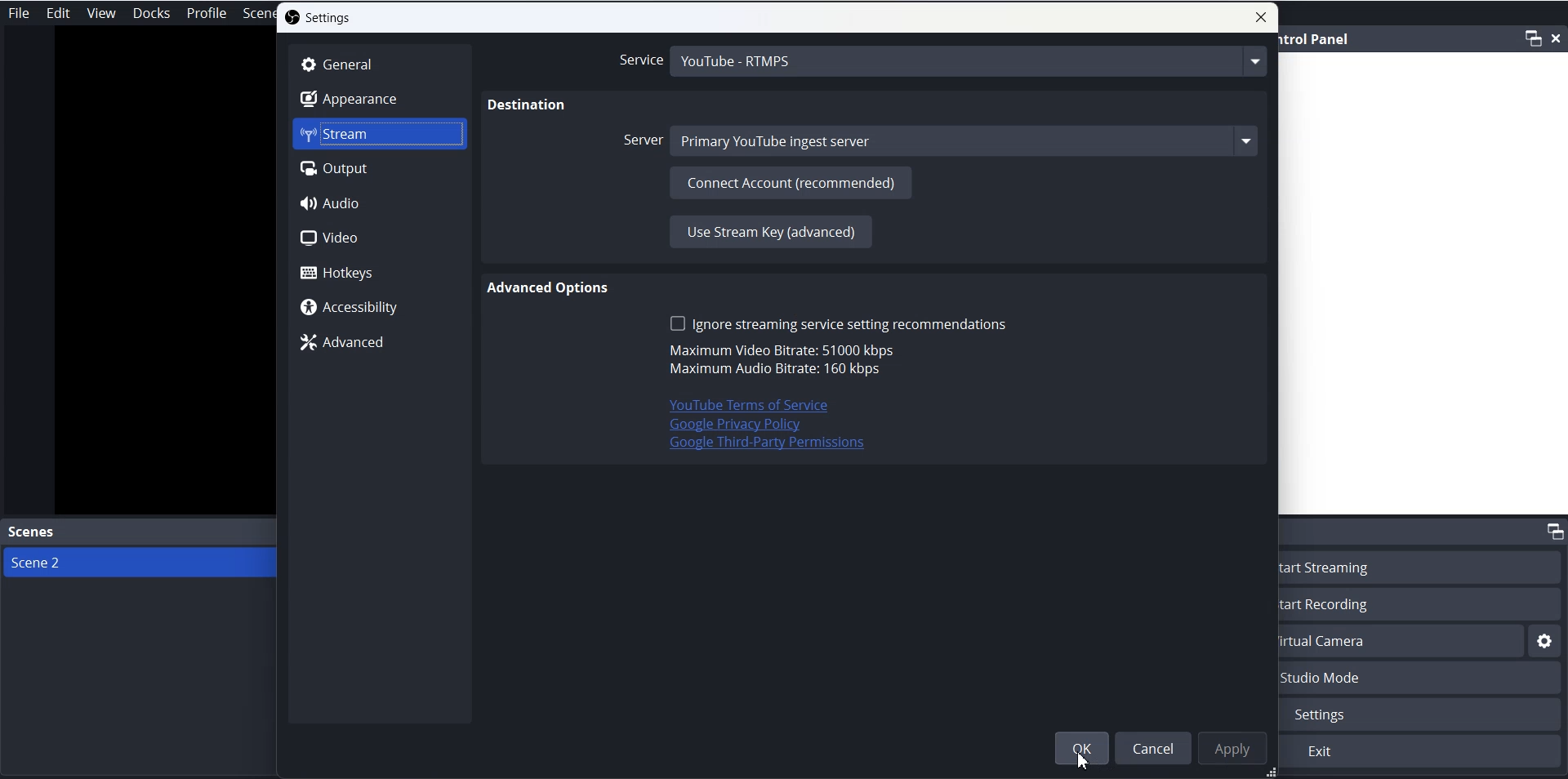 Image resolution: width=1568 pixels, height=779 pixels. I want to click on Settings, so click(318, 17).